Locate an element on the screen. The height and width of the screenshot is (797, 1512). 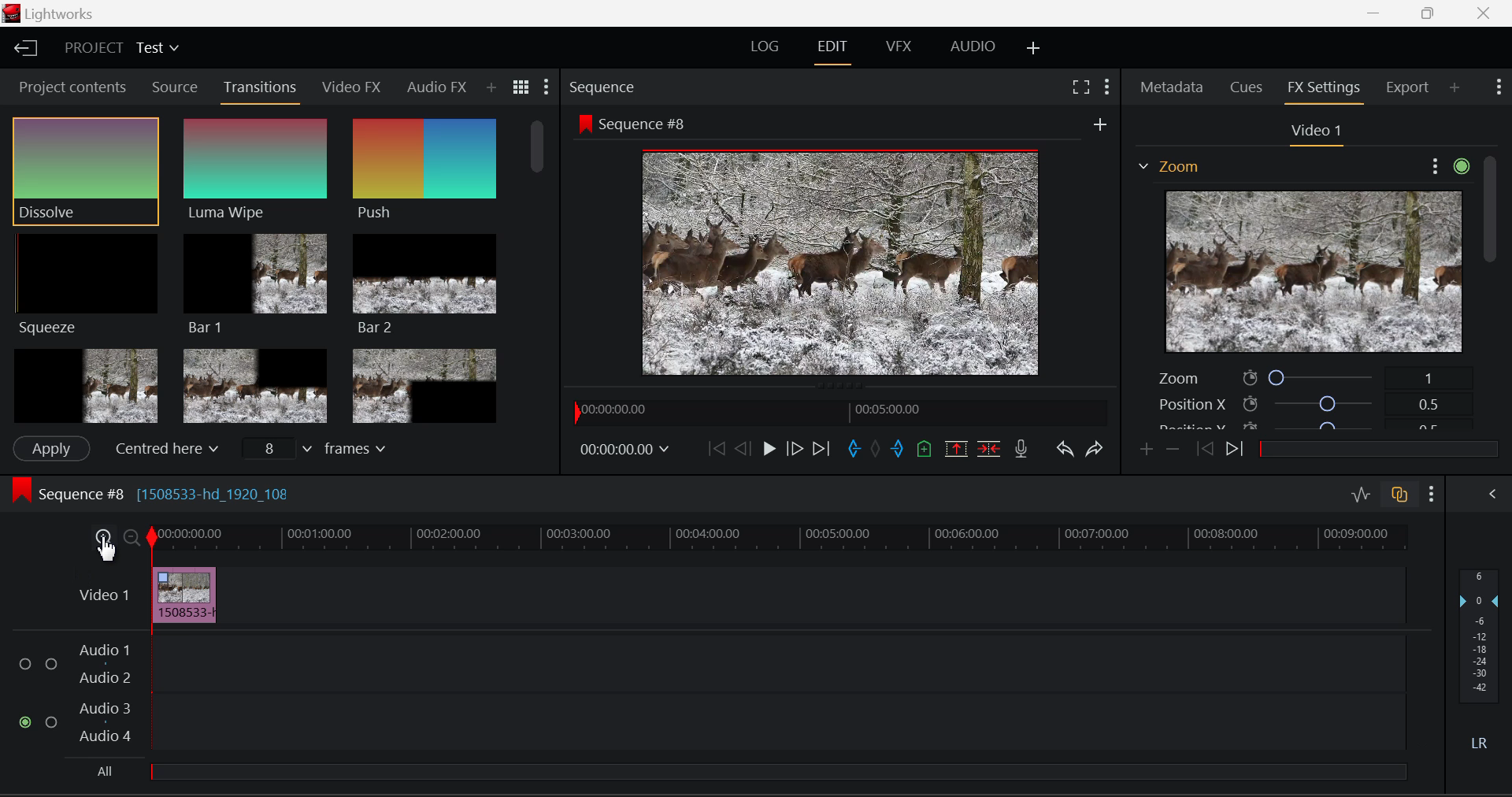
Audio Input Field  is located at coordinates (778, 662).